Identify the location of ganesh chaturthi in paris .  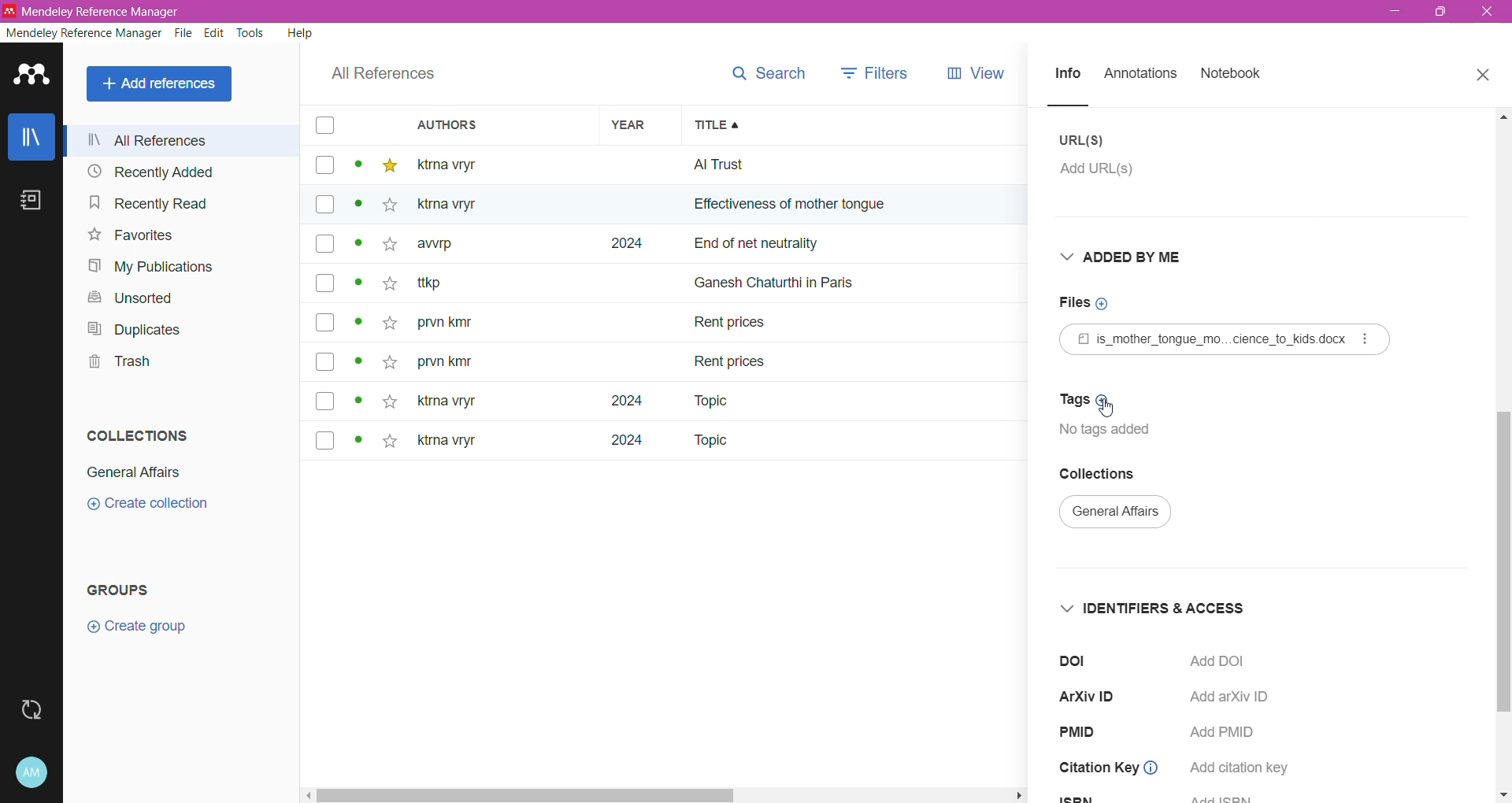
(792, 276).